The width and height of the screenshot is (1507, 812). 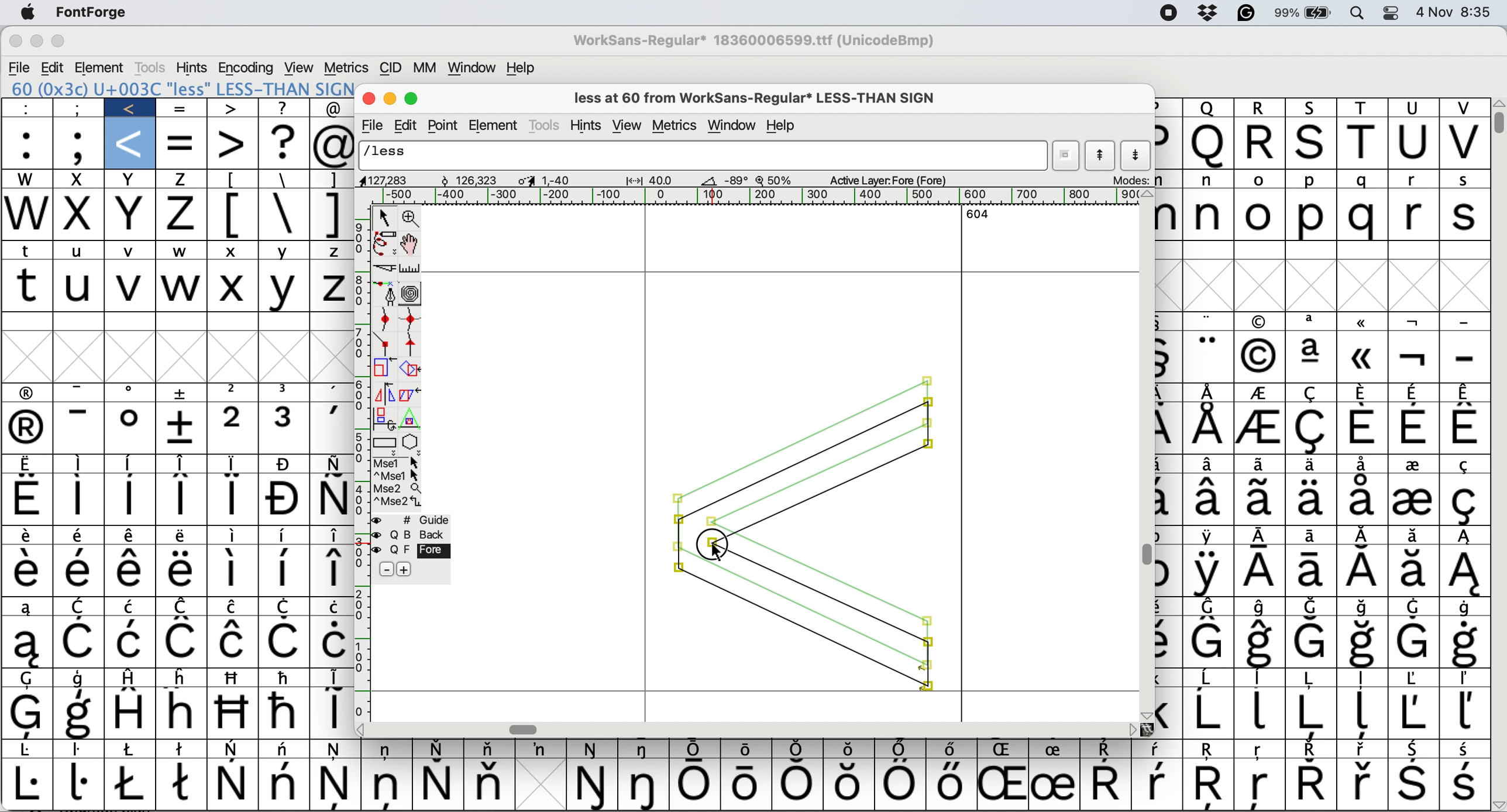 I want to click on x, so click(x=233, y=252).